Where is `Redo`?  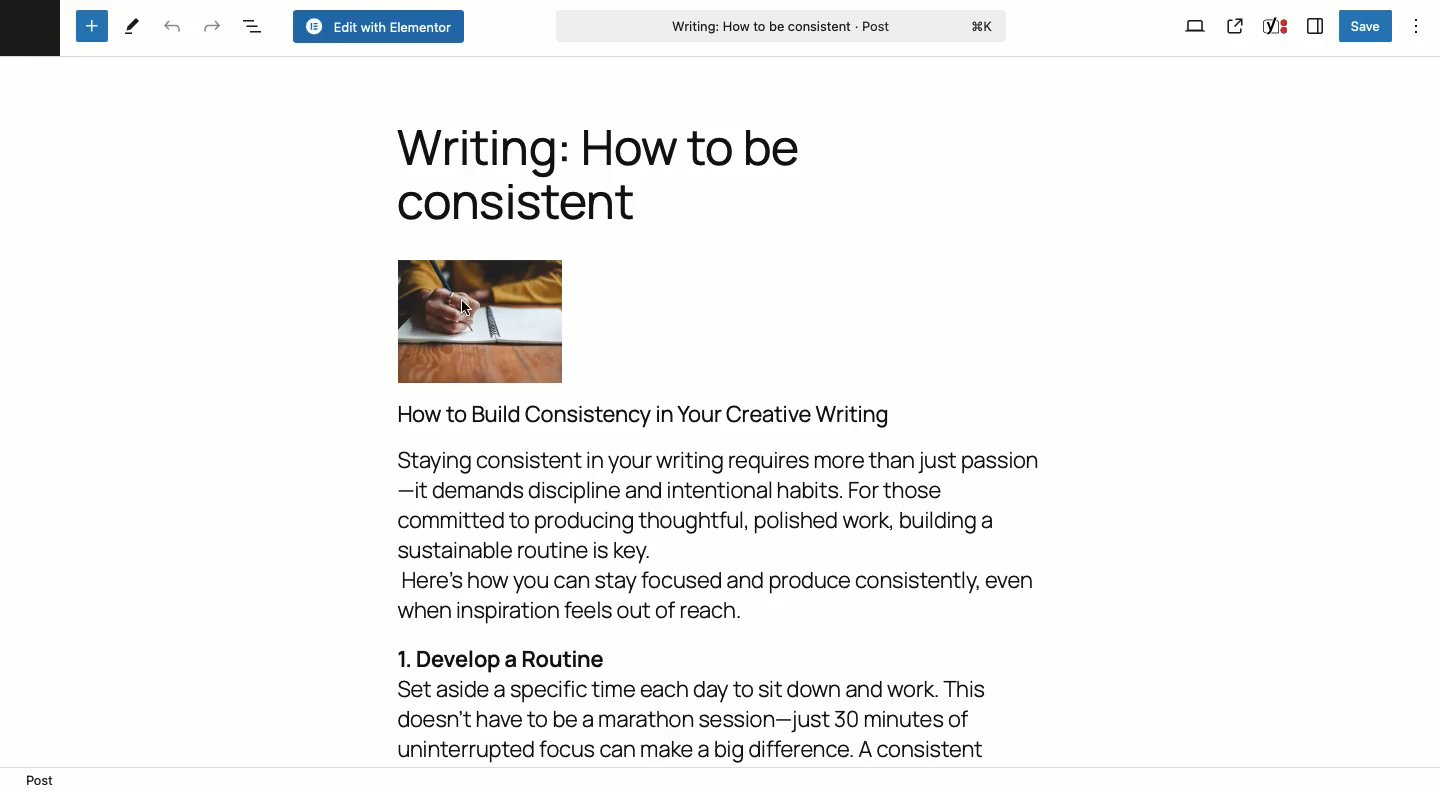 Redo is located at coordinates (209, 25).